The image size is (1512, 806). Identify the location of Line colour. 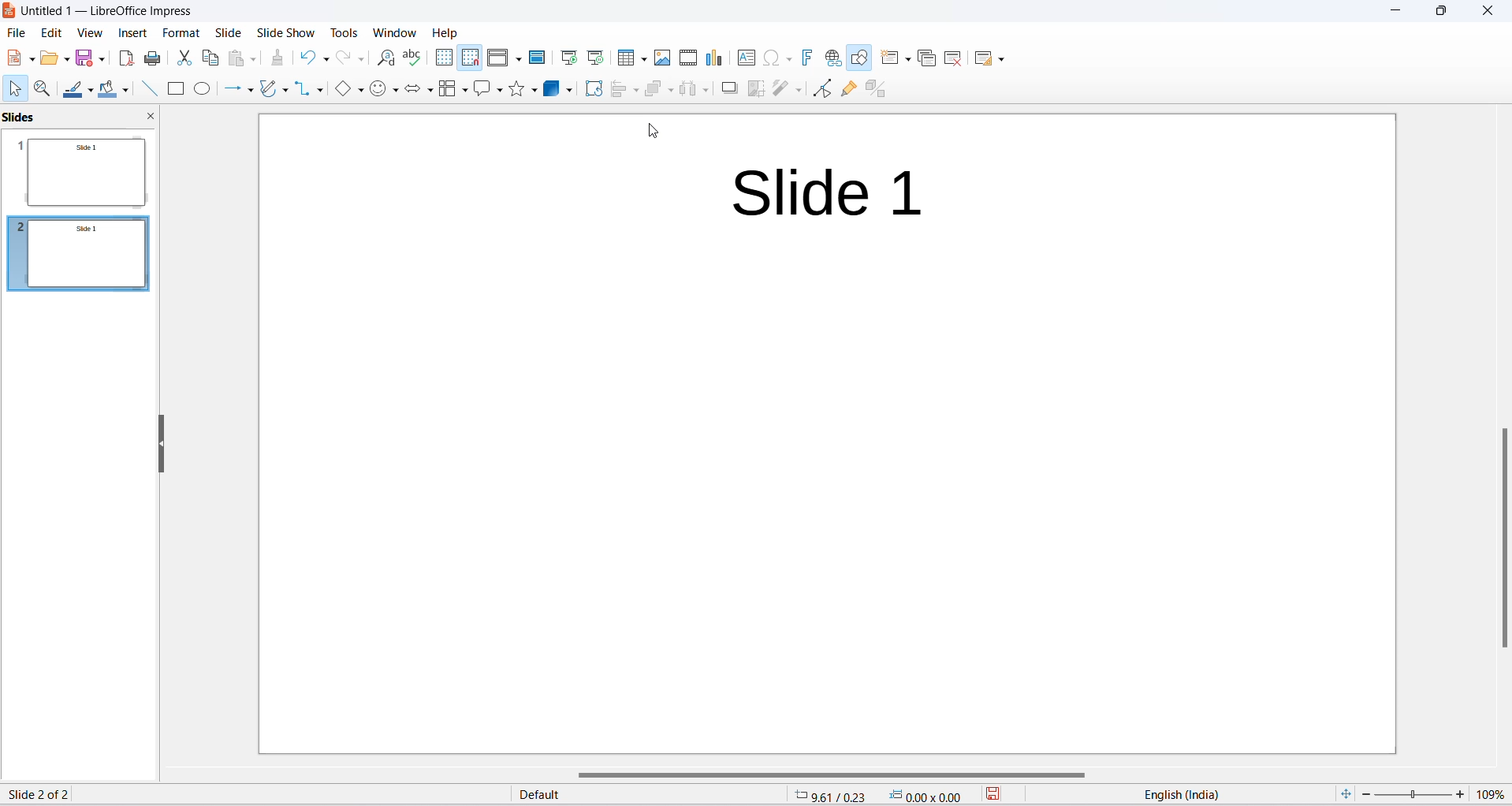
(78, 88).